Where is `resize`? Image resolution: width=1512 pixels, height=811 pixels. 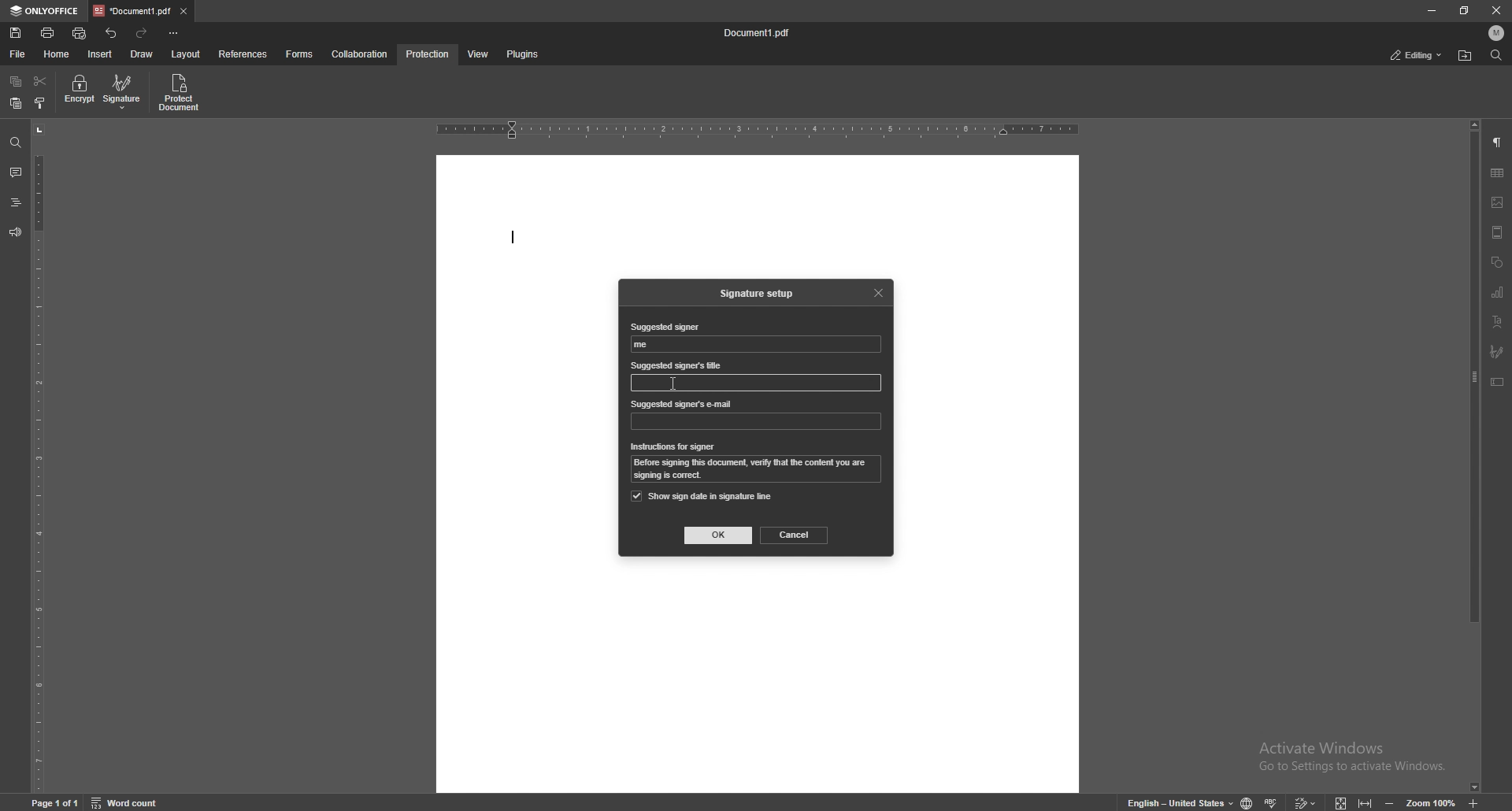 resize is located at coordinates (1466, 10).